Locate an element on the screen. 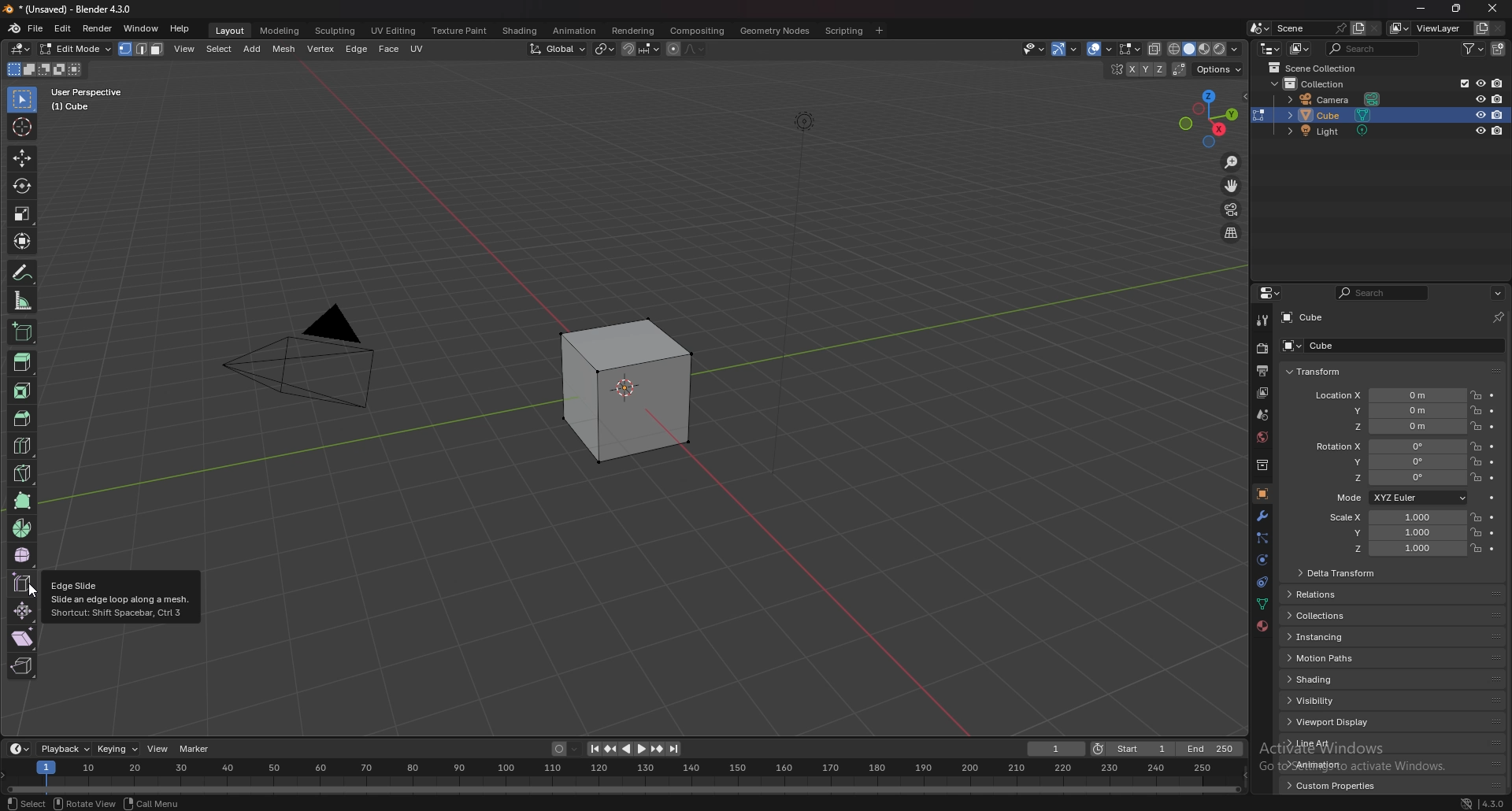 Image resolution: width=1512 pixels, height=811 pixels. shrink is located at coordinates (23, 610).